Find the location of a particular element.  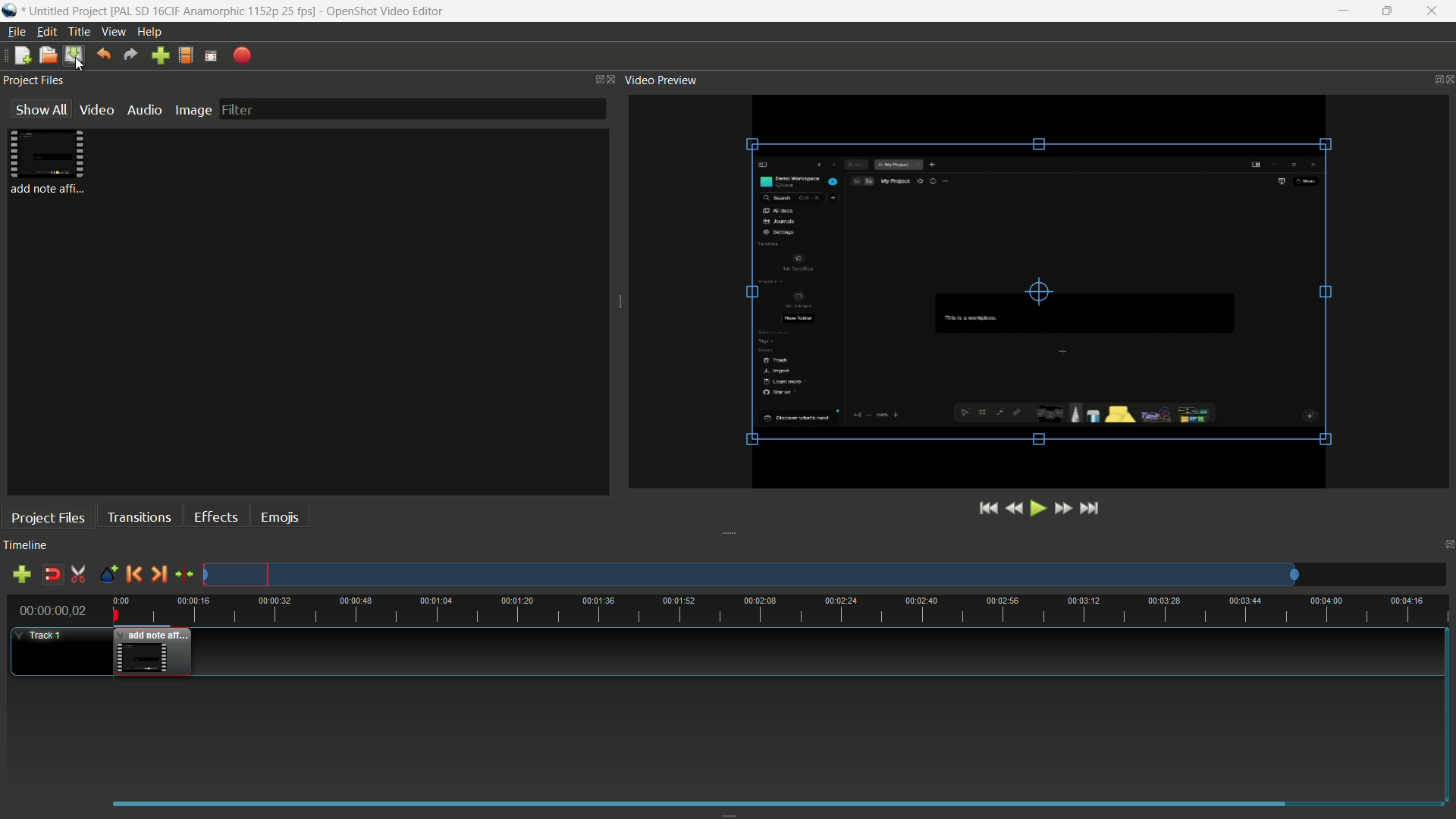

close timeline is located at coordinates (1447, 545).